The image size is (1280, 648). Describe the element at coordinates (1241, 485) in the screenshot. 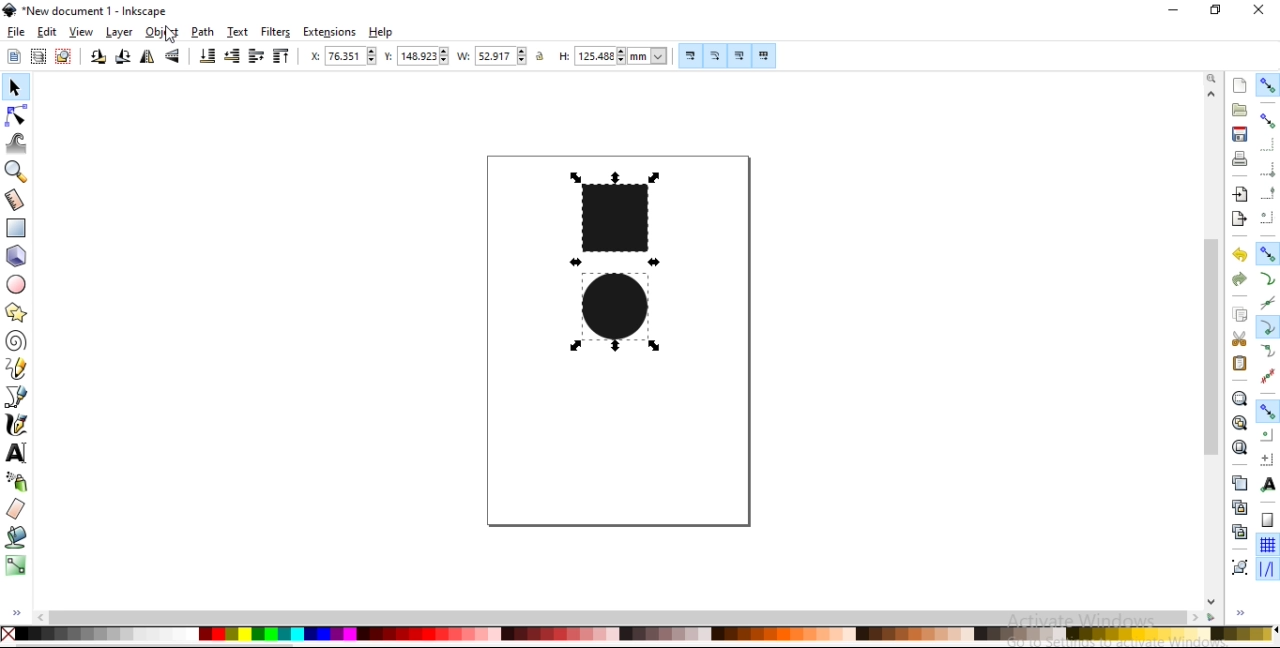

I see `duplicate selected objects` at that location.